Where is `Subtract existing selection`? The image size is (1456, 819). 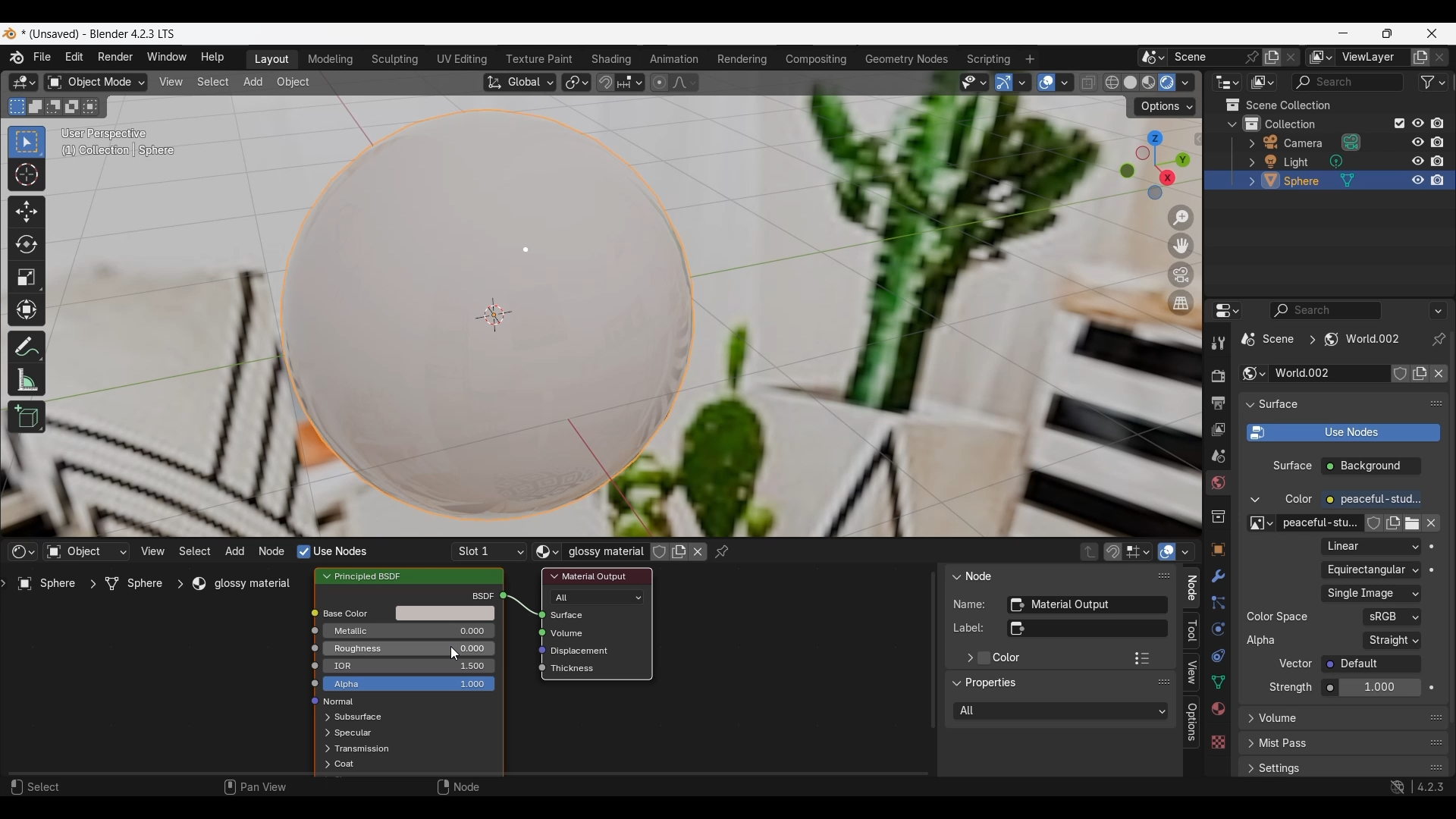 Subtract existing selection is located at coordinates (54, 107).